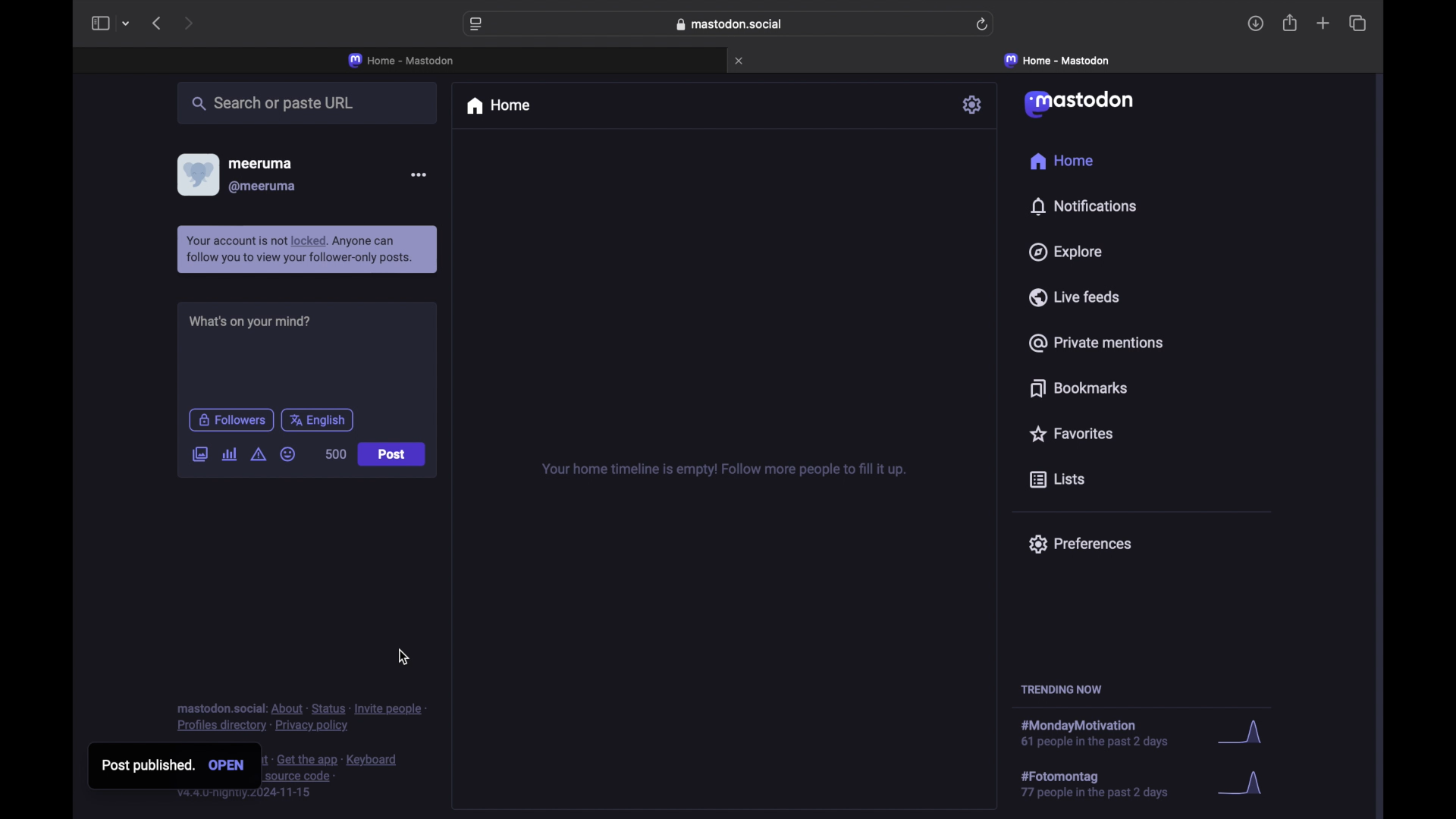  I want to click on home, so click(1061, 161).